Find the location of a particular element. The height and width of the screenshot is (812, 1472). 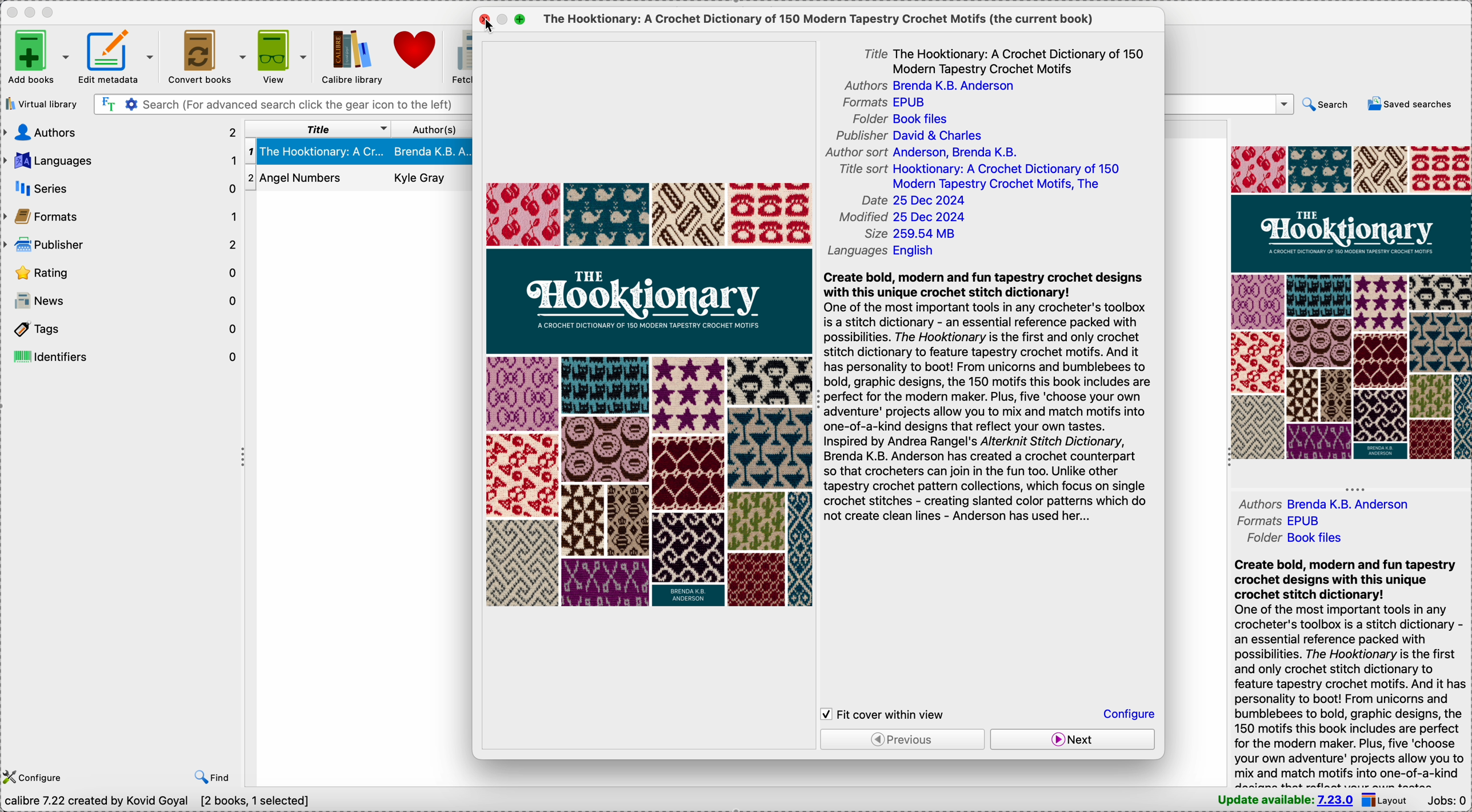

maximize is located at coordinates (51, 13).